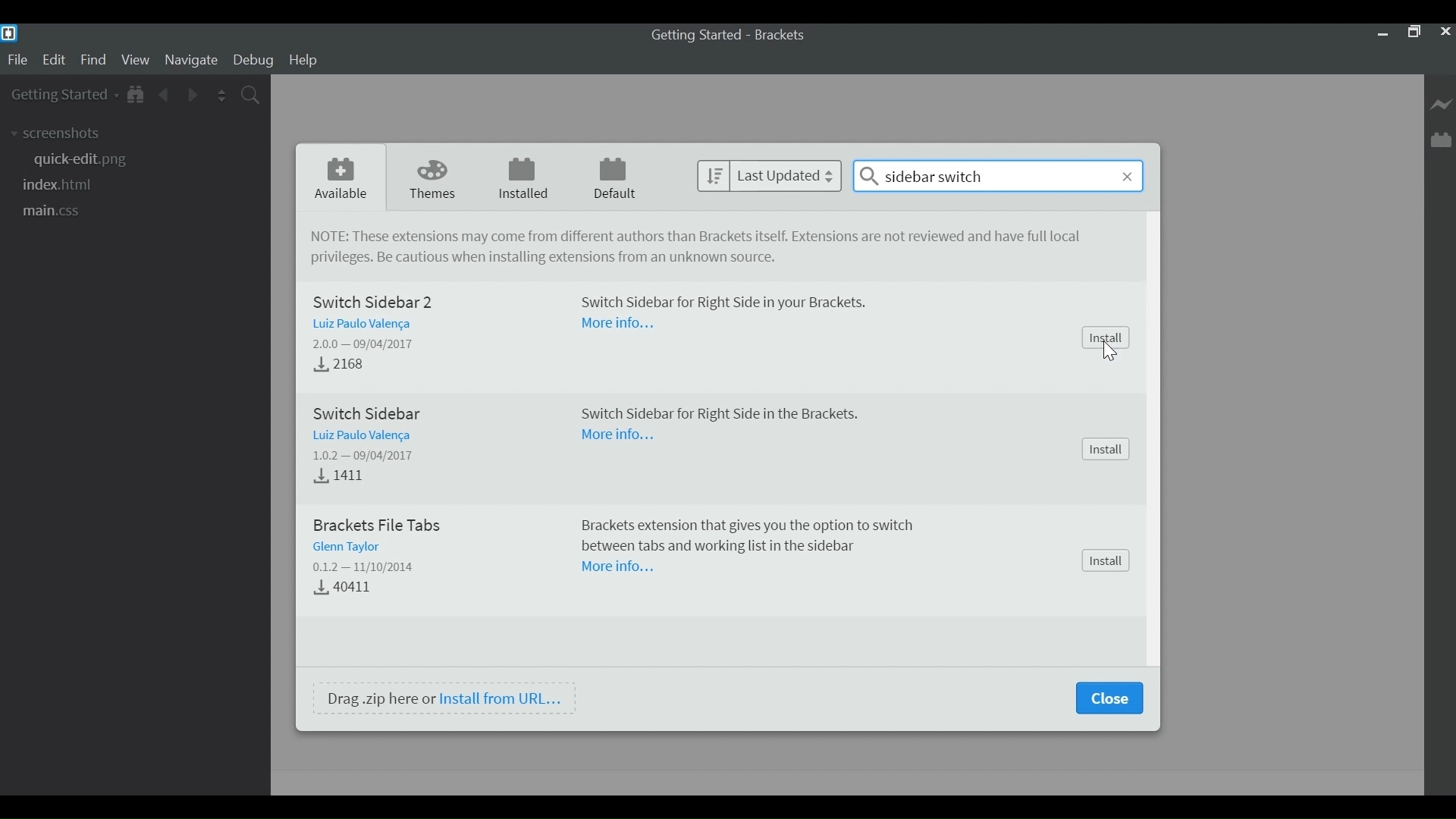 The image size is (1456, 819). Describe the element at coordinates (366, 324) in the screenshot. I see `Luiz Paulo Valenca` at that location.